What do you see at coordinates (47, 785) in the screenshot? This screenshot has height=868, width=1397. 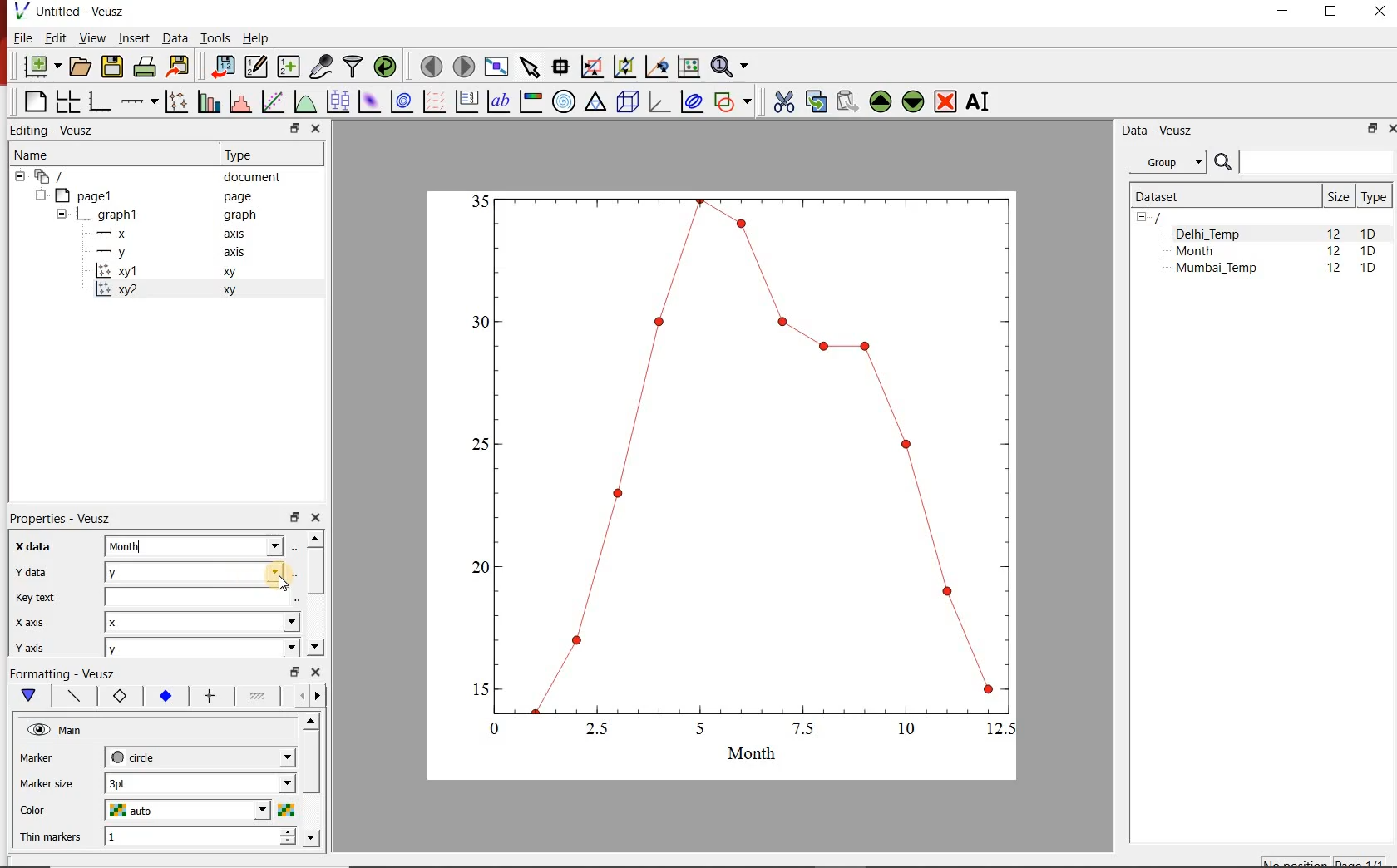 I see `Marker size` at bounding box center [47, 785].